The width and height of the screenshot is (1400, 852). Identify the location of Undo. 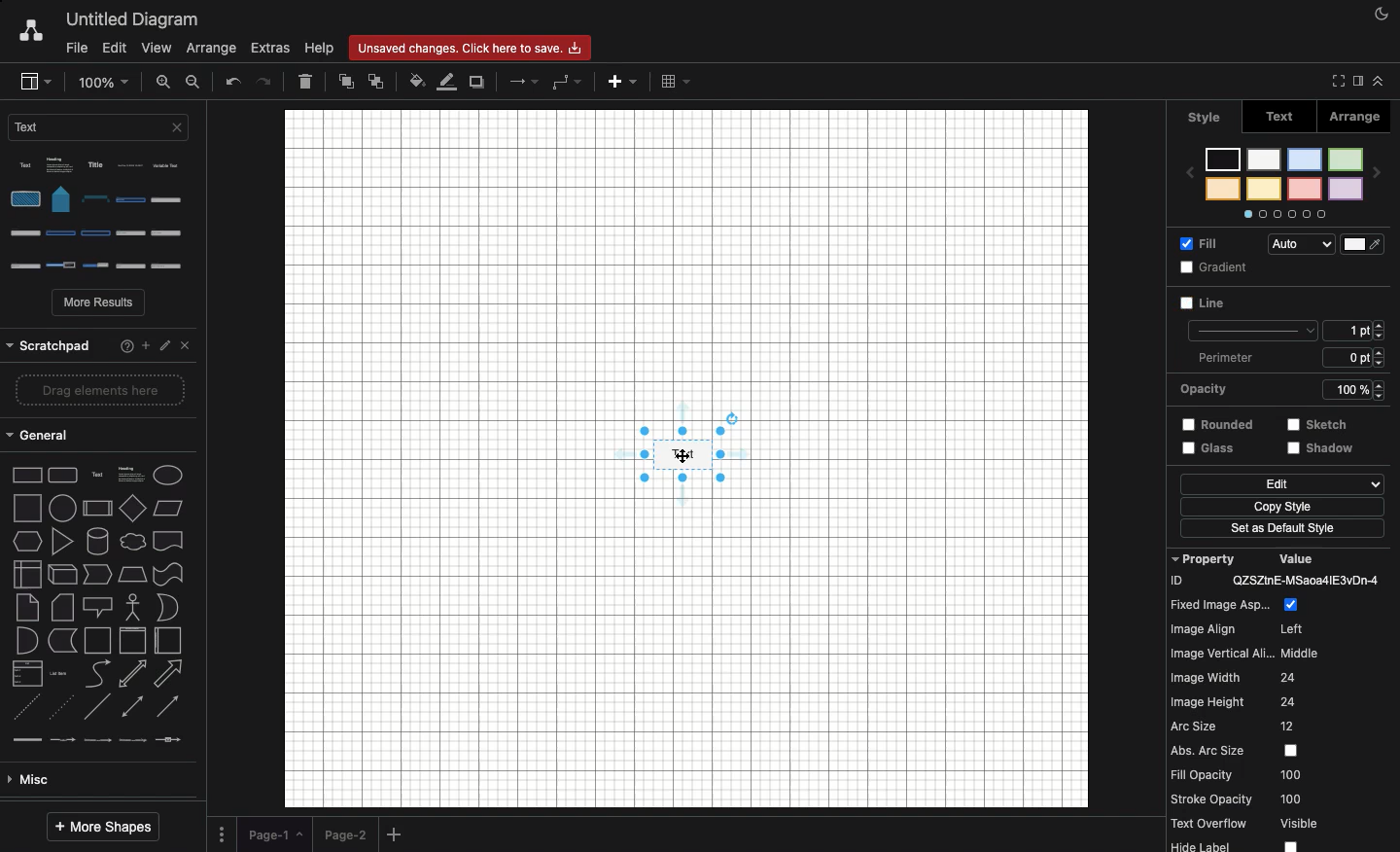
(232, 83).